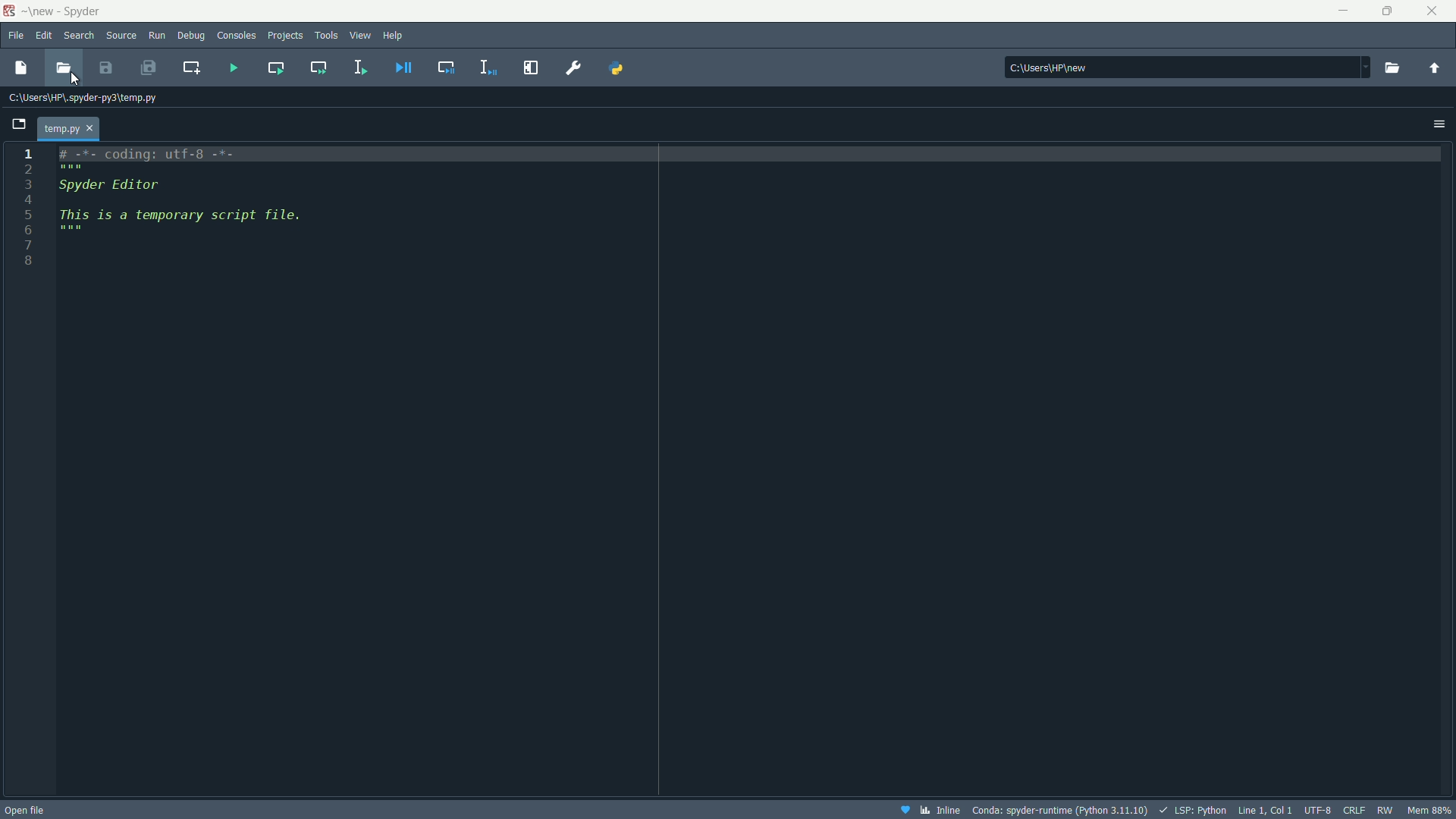 The height and width of the screenshot is (819, 1456). Describe the element at coordinates (1392, 11) in the screenshot. I see `maximize` at that location.